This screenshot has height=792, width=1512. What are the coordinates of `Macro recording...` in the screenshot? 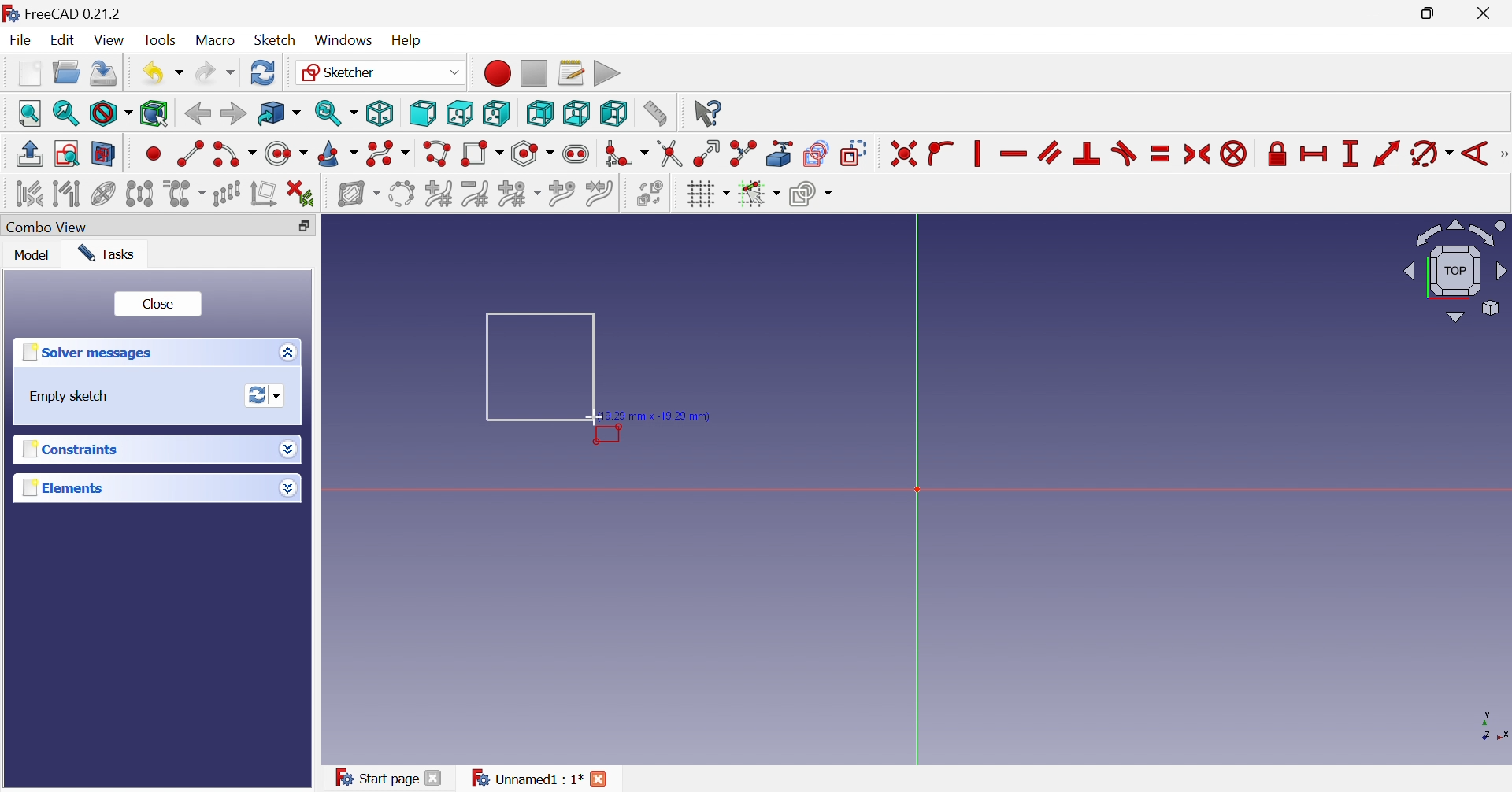 It's located at (496, 72).